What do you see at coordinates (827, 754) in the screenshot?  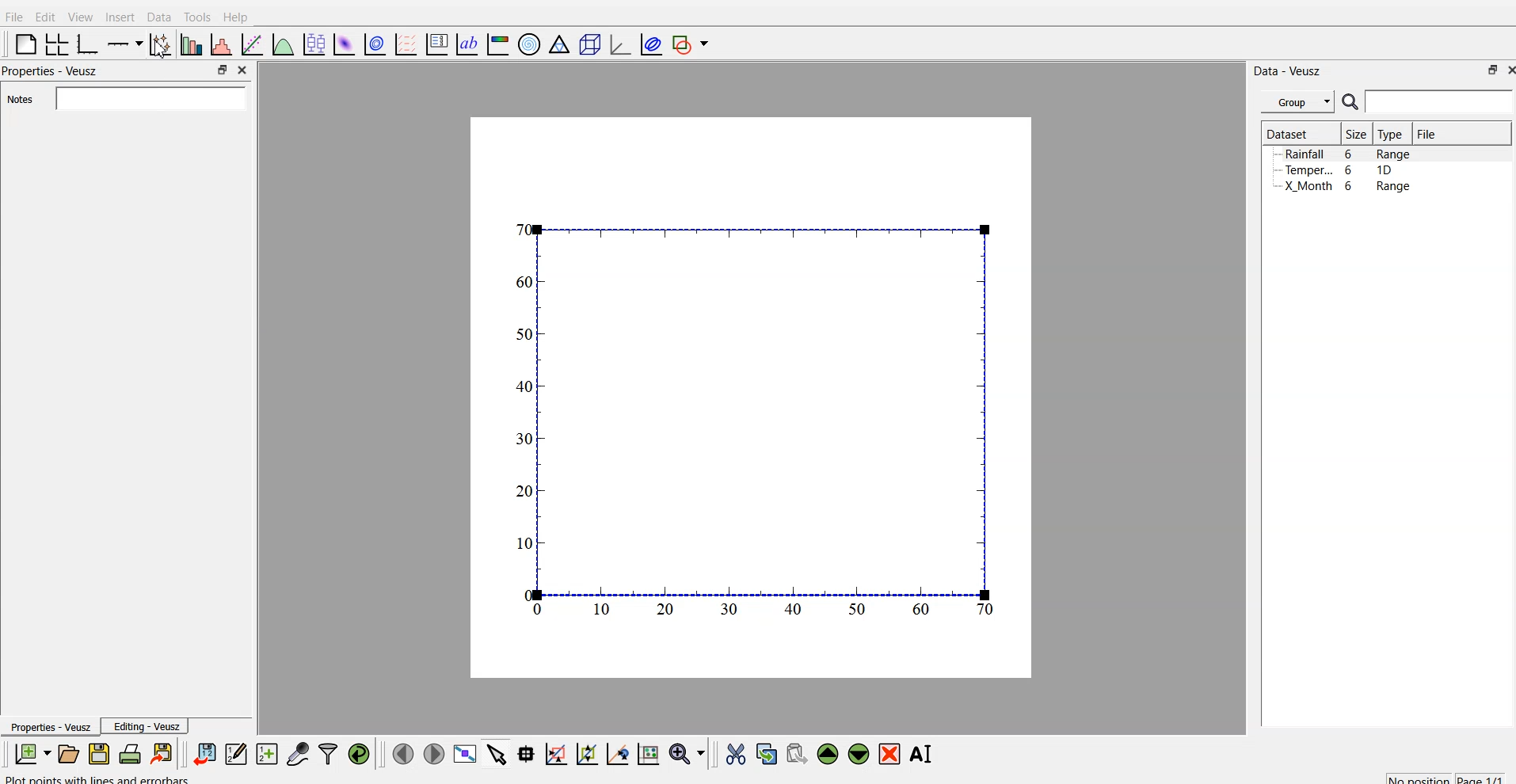 I see `move up the widget` at bounding box center [827, 754].